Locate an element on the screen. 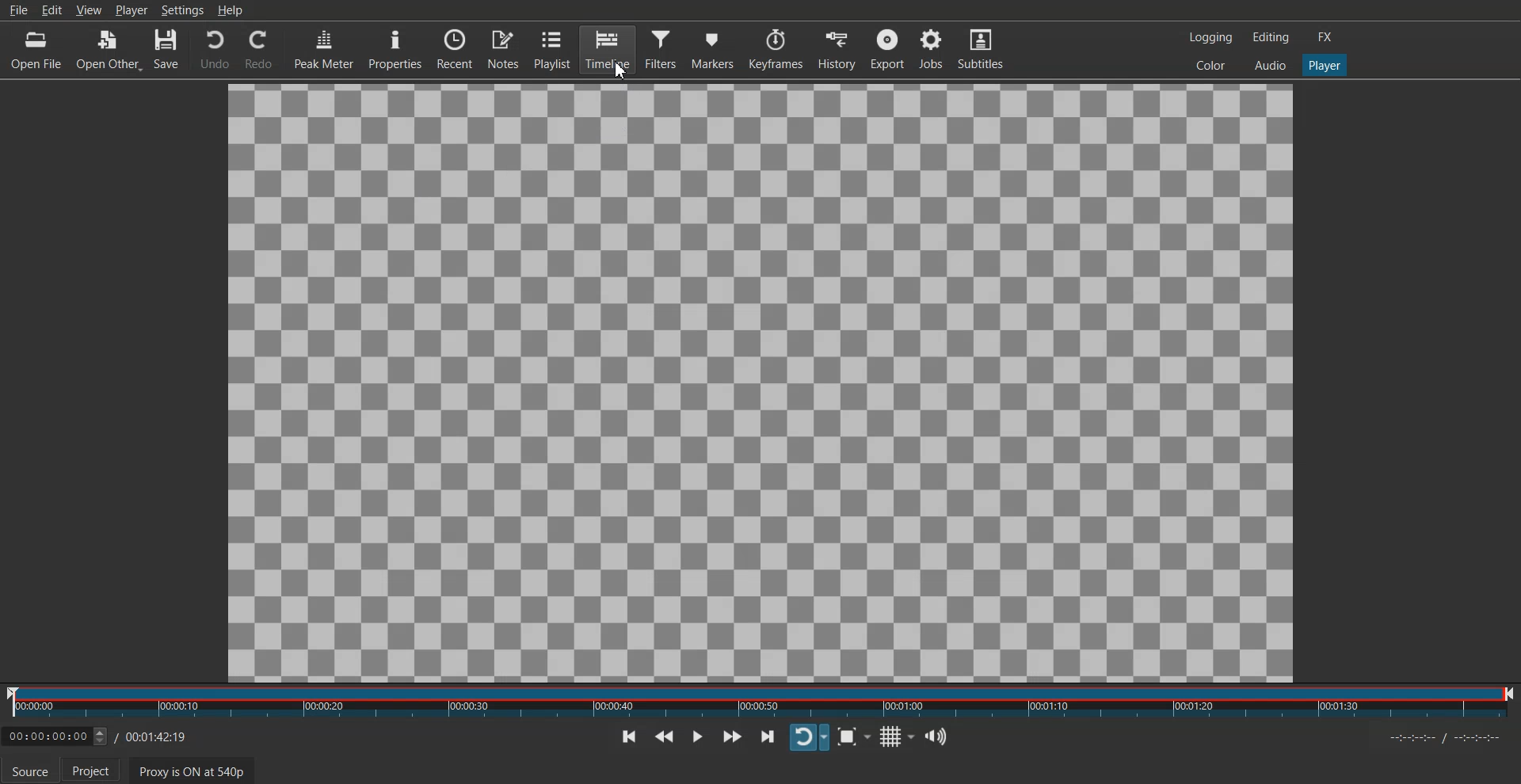 The width and height of the screenshot is (1521, 784). File is located at coordinates (17, 10).